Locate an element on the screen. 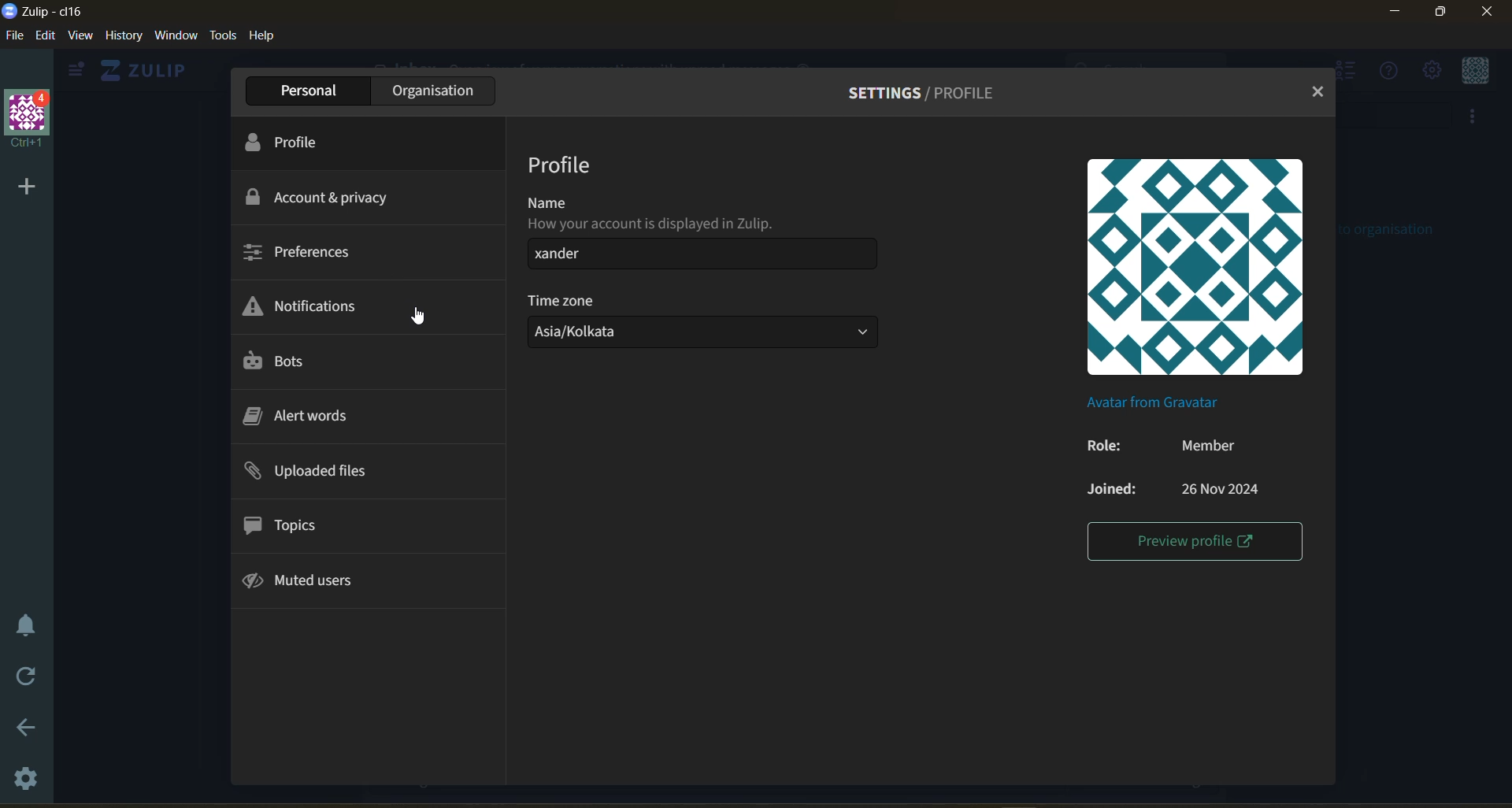  go back is located at coordinates (27, 726).